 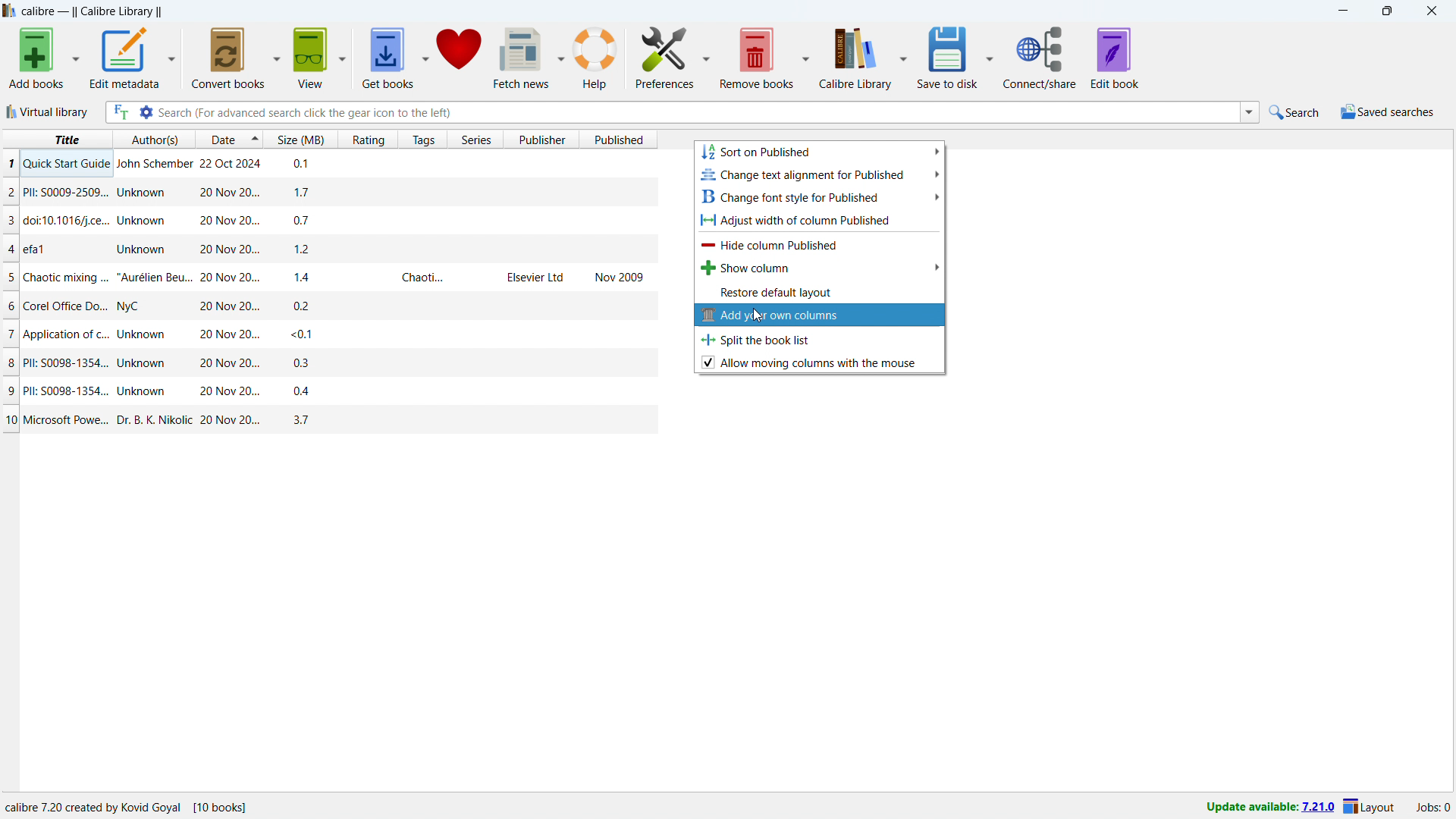 I want to click on preferences options, so click(x=707, y=56).